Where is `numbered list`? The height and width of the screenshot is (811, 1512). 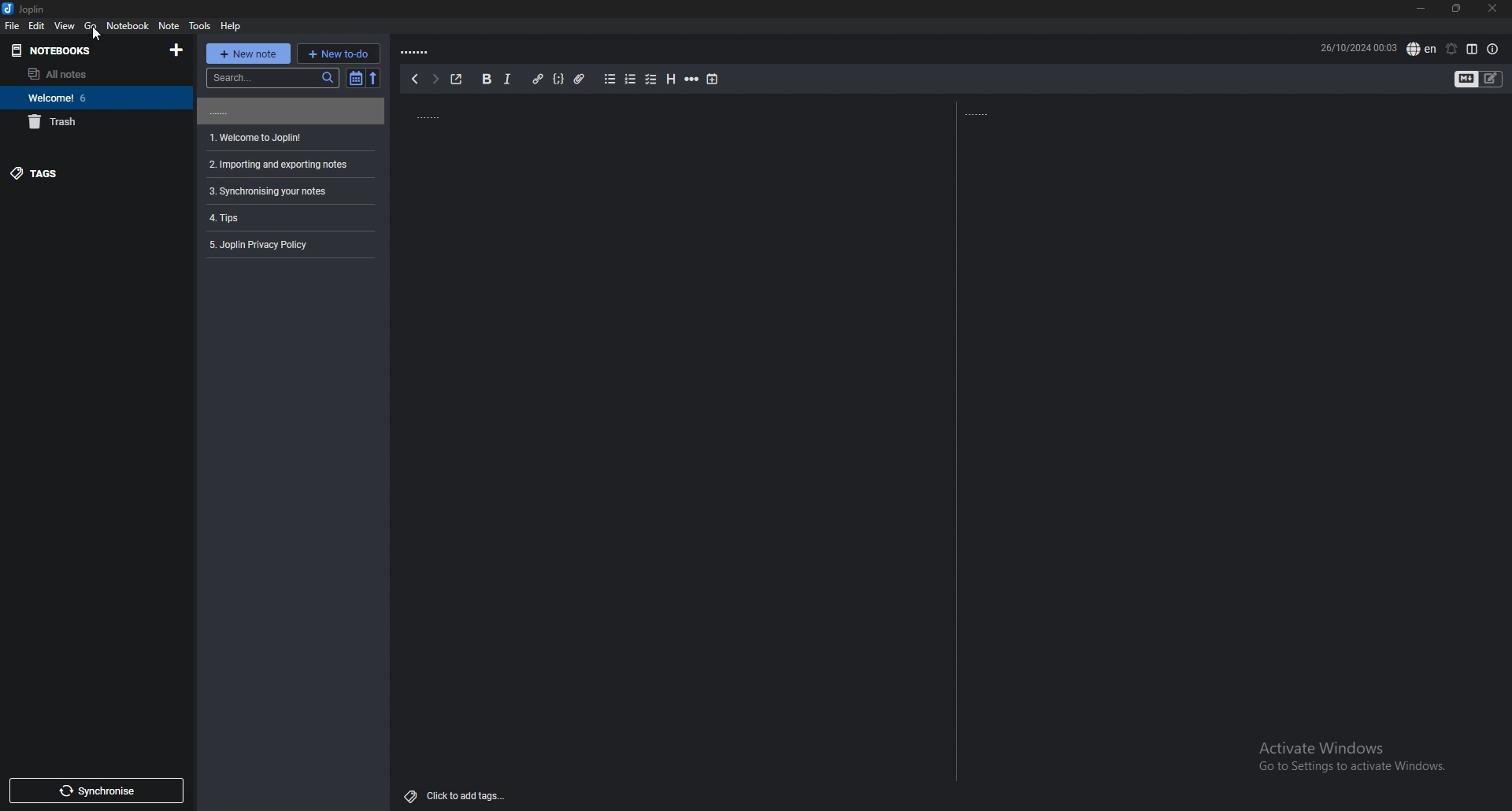
numbered list is located at coordinates (630, 80).